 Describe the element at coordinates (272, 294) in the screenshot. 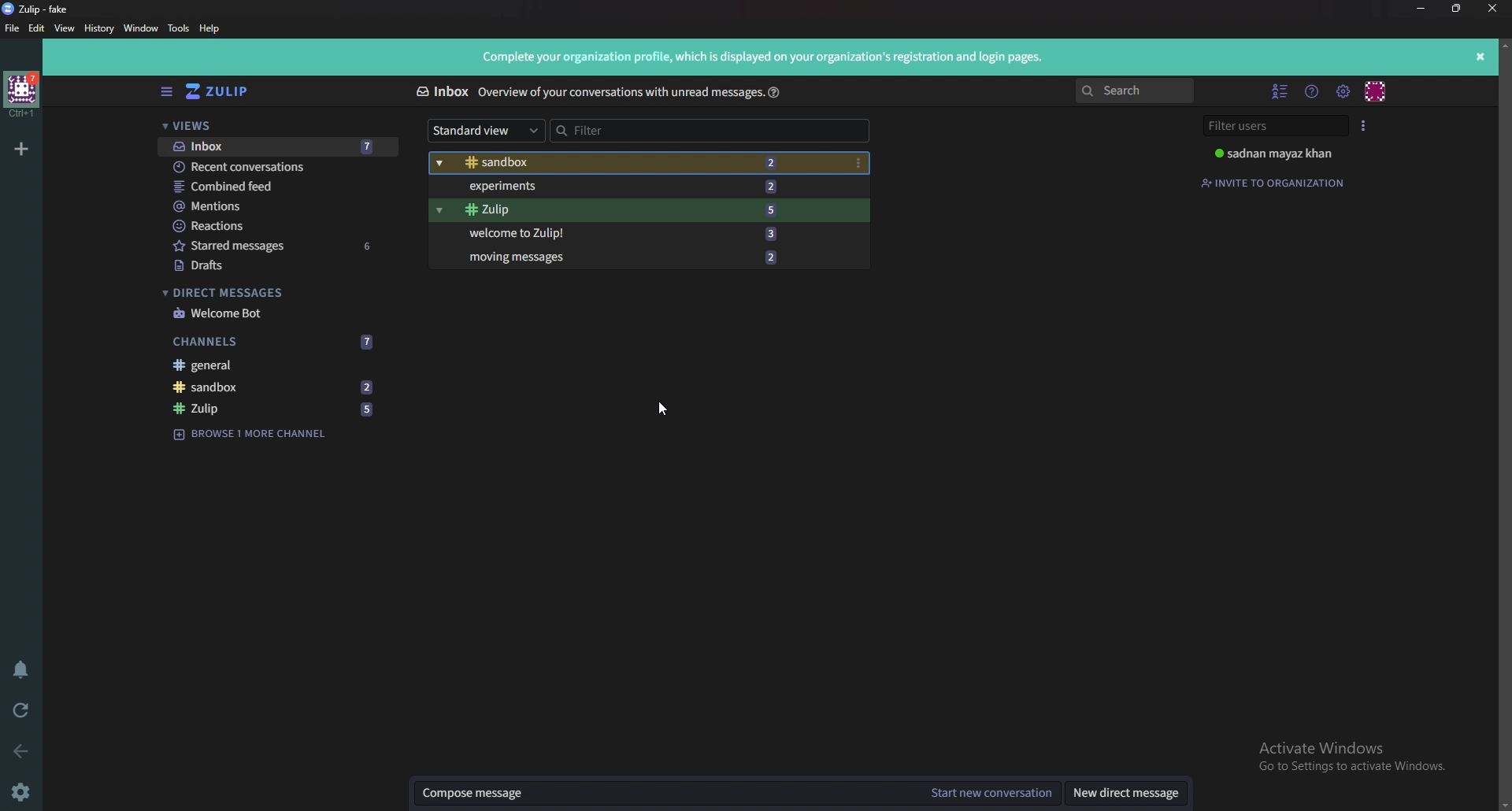

I see `Direct messages` at that location.